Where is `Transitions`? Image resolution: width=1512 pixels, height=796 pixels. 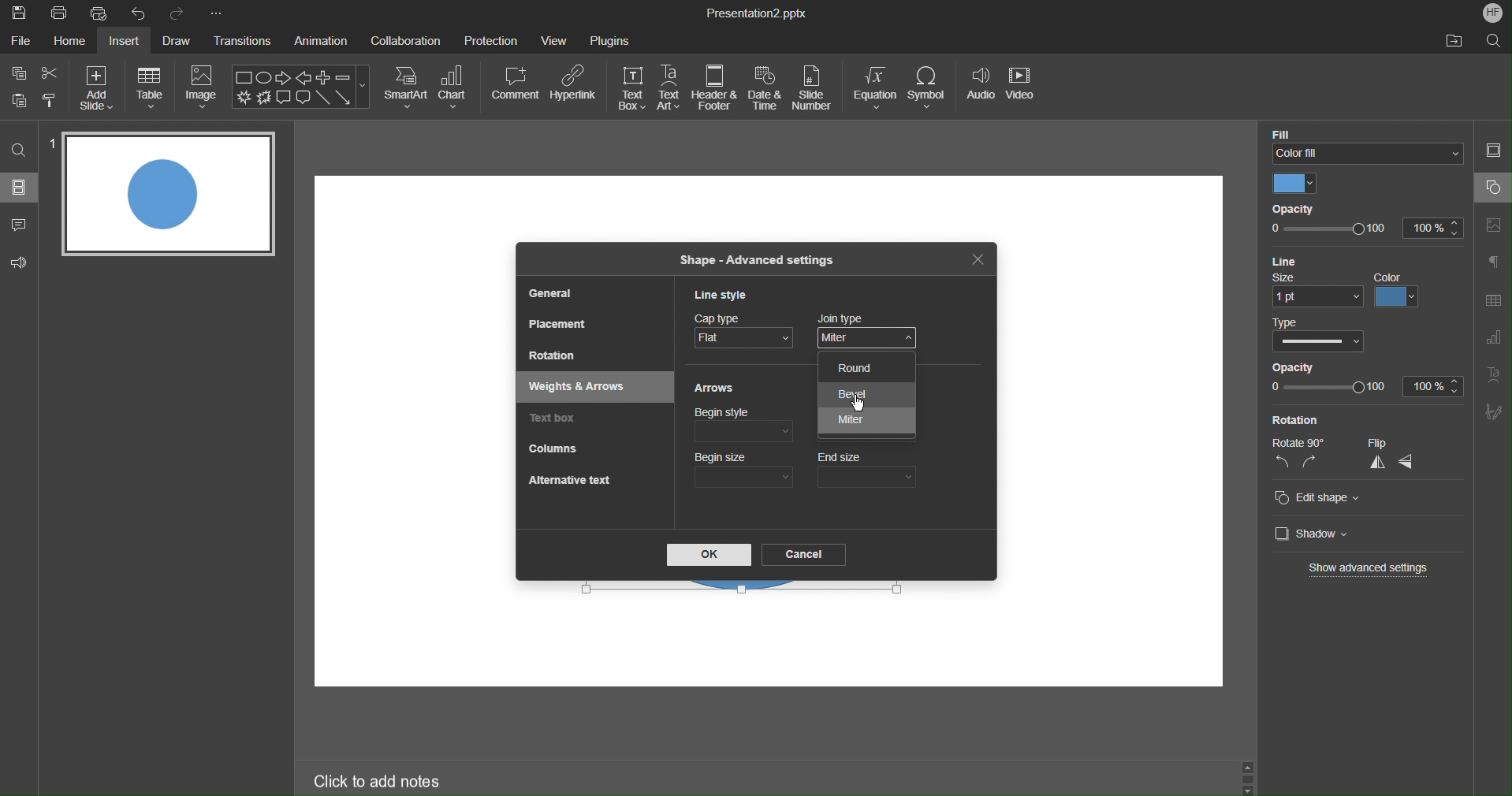
Transitions is located at coordinates (244, 43).